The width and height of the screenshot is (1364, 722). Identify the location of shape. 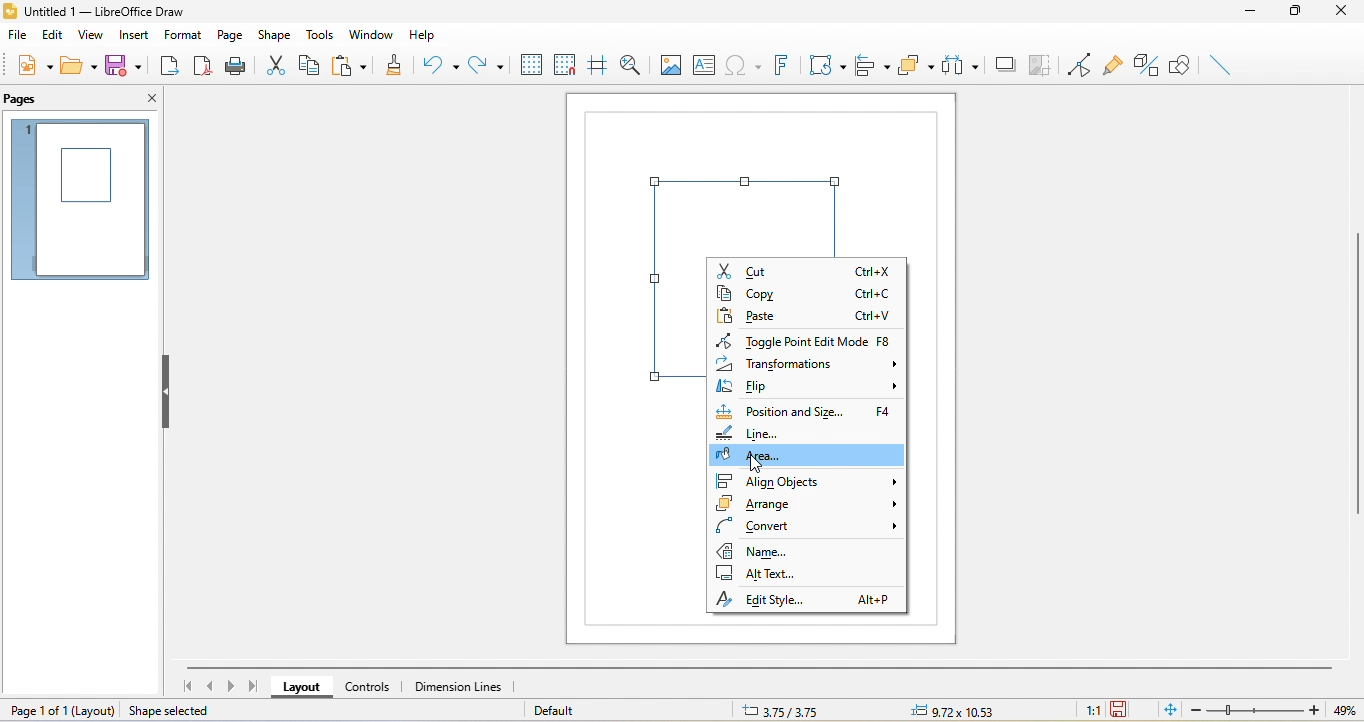
(275, 34).